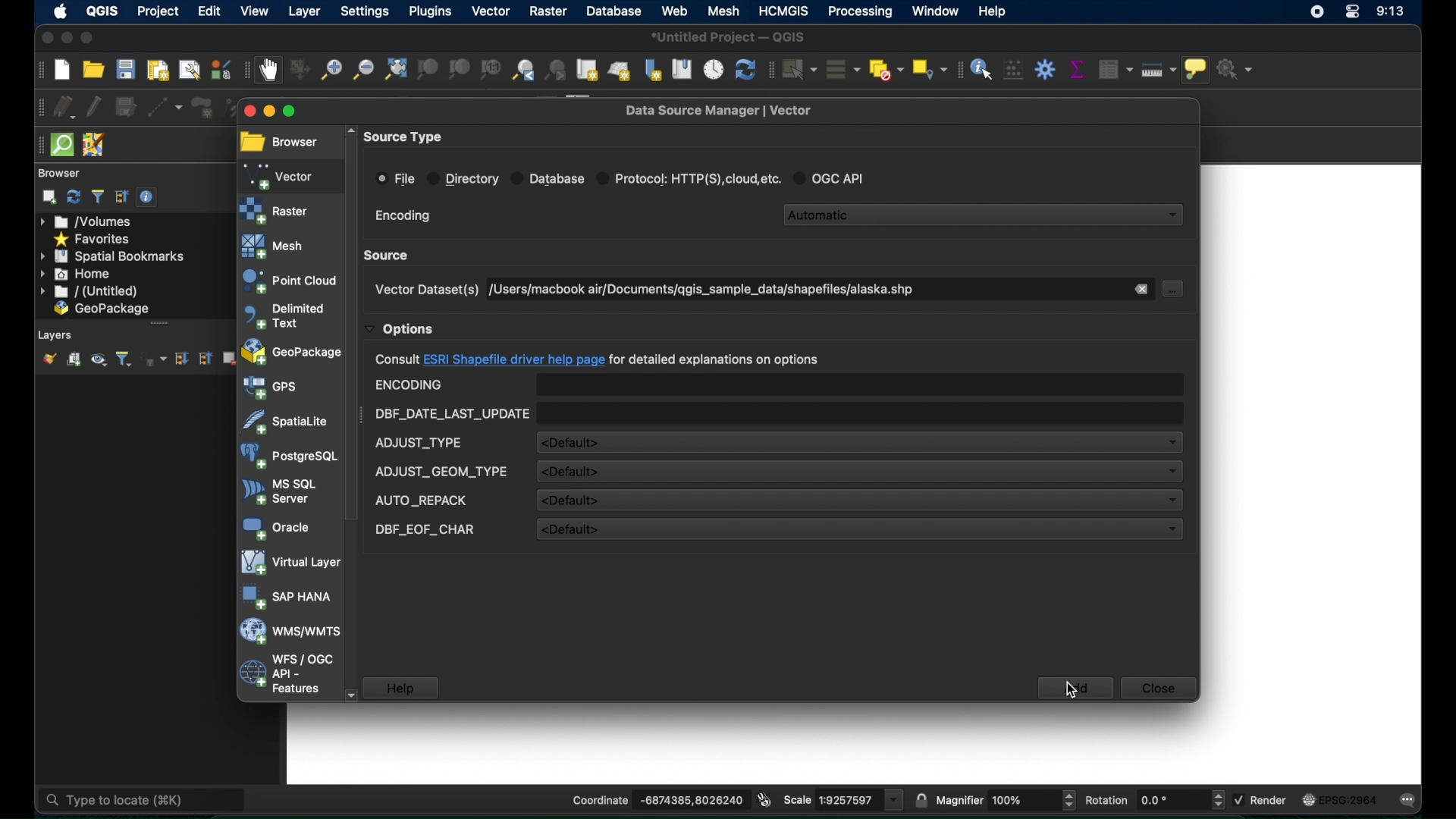 This screenshot has height=819, width=1456. I want to click on no action selected, so click(1241, 69).